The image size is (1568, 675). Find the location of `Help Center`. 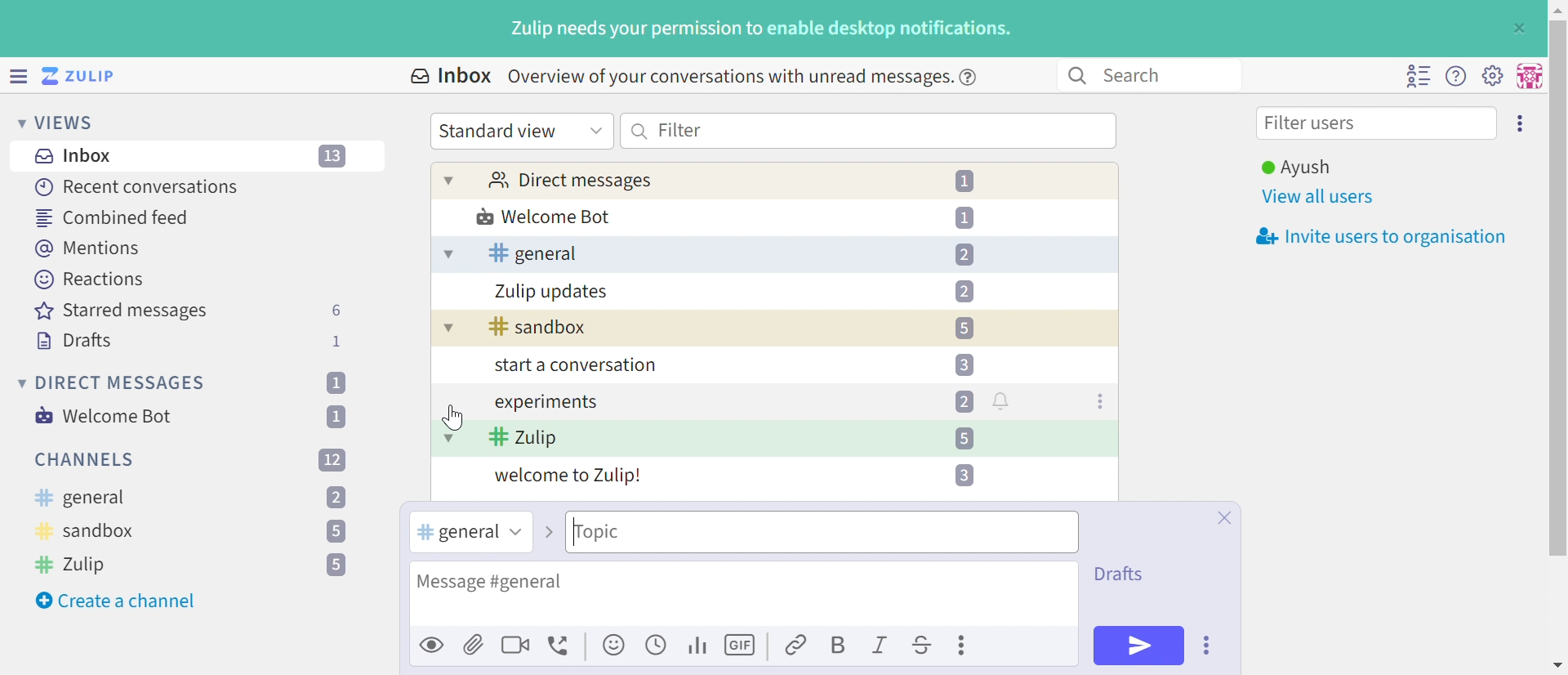

Help Center is located at coordinates (973, 76).